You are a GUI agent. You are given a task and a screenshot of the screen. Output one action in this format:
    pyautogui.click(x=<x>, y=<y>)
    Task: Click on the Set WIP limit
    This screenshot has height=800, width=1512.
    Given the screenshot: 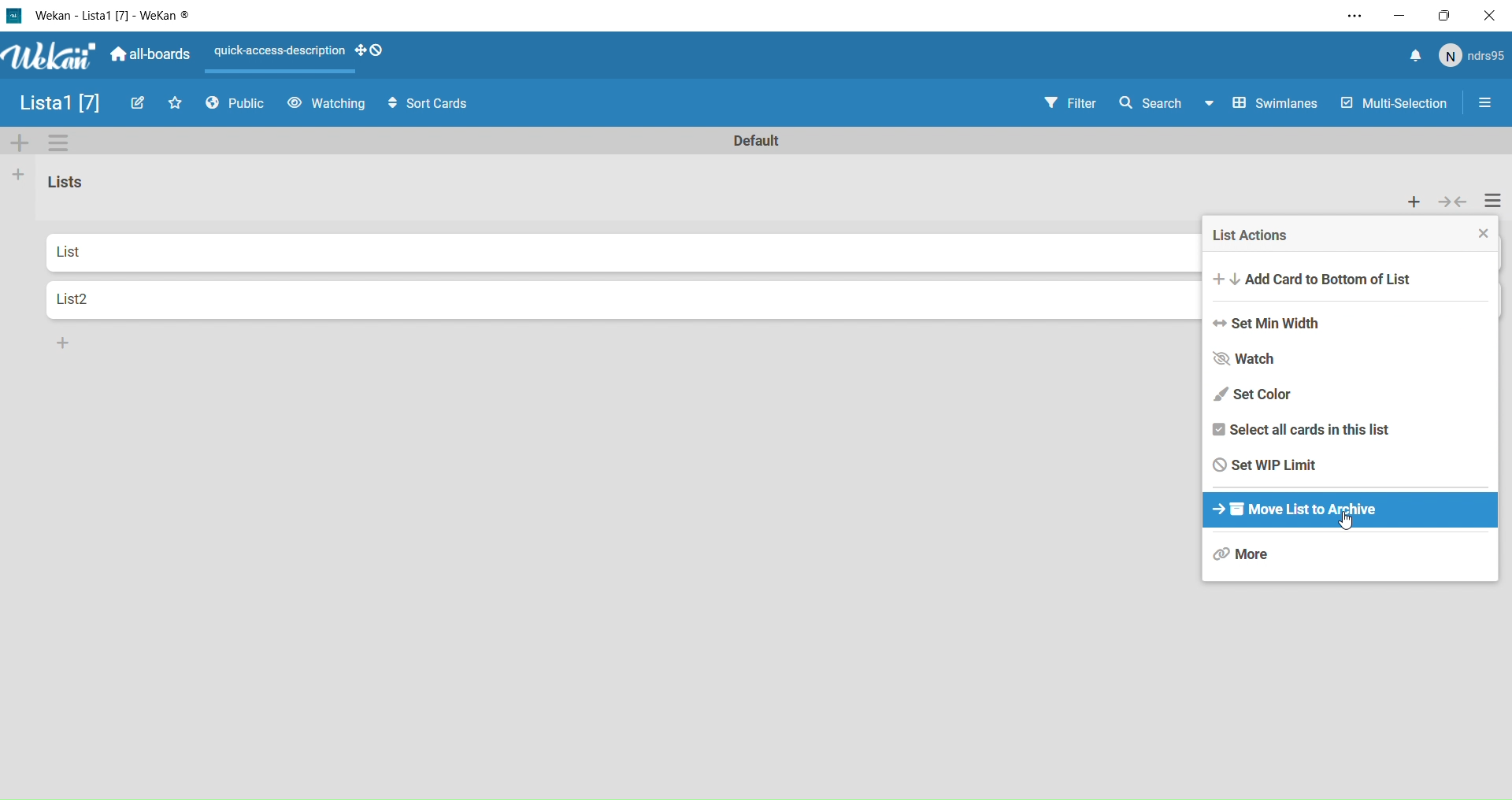 What is the action you would take?
    pyautogui.click(x=1277, y=465)
    